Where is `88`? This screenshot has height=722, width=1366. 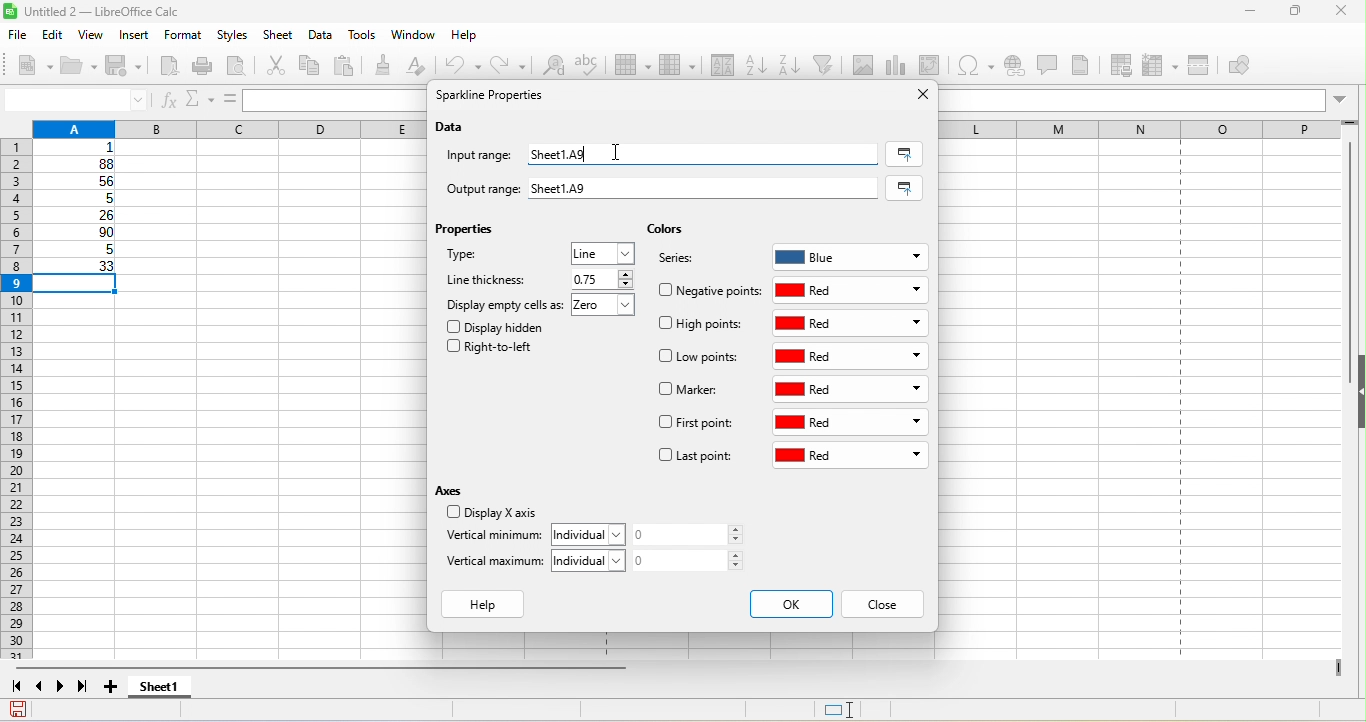 88 is located at coordinates (77, 164).